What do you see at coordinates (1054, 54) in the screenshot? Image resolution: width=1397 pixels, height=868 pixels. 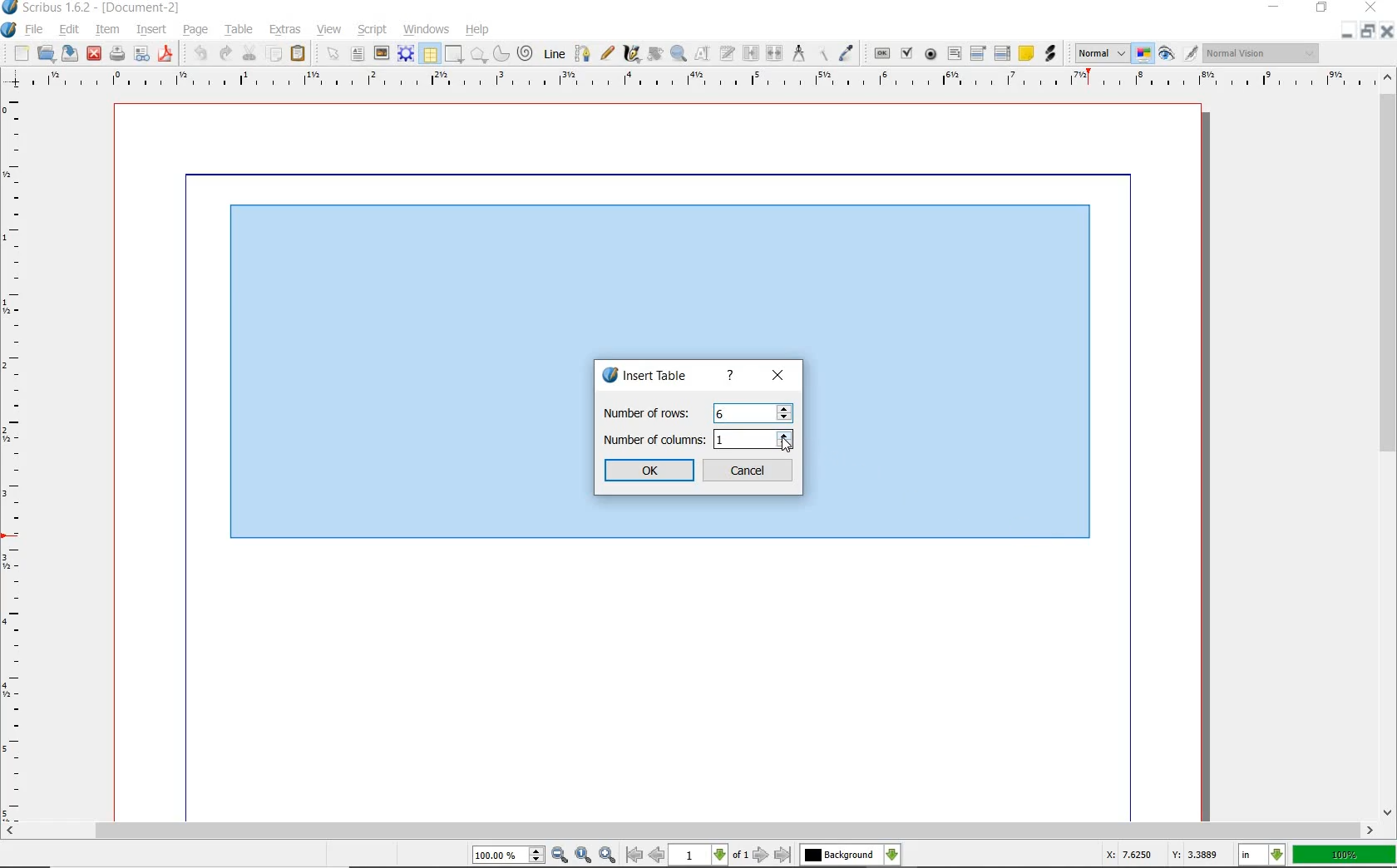 I see `link annotation` at bounding box center [1054, 54].